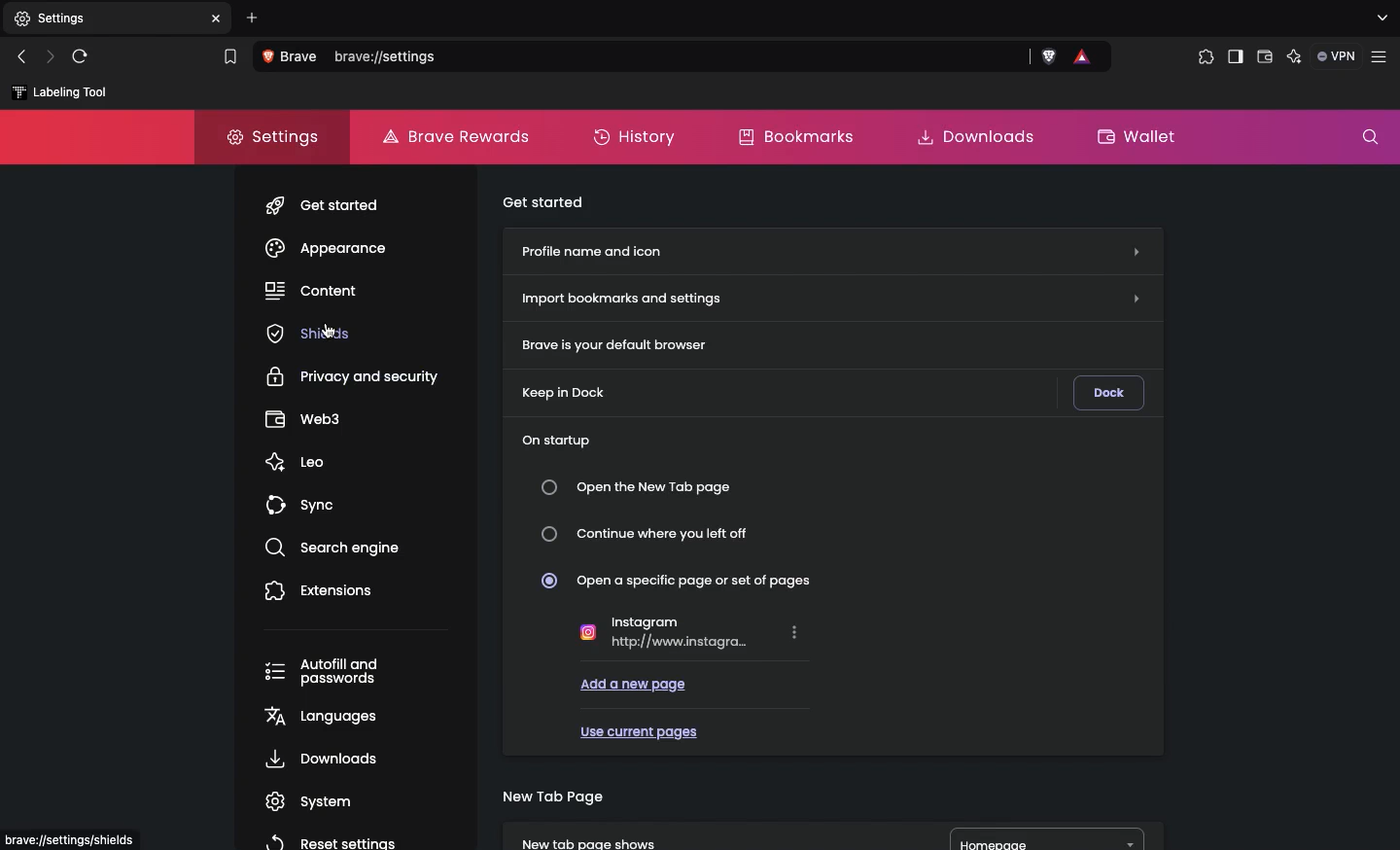 This screenshot has height=850, width=1400. I want to click on Settings, so click(276, 137).